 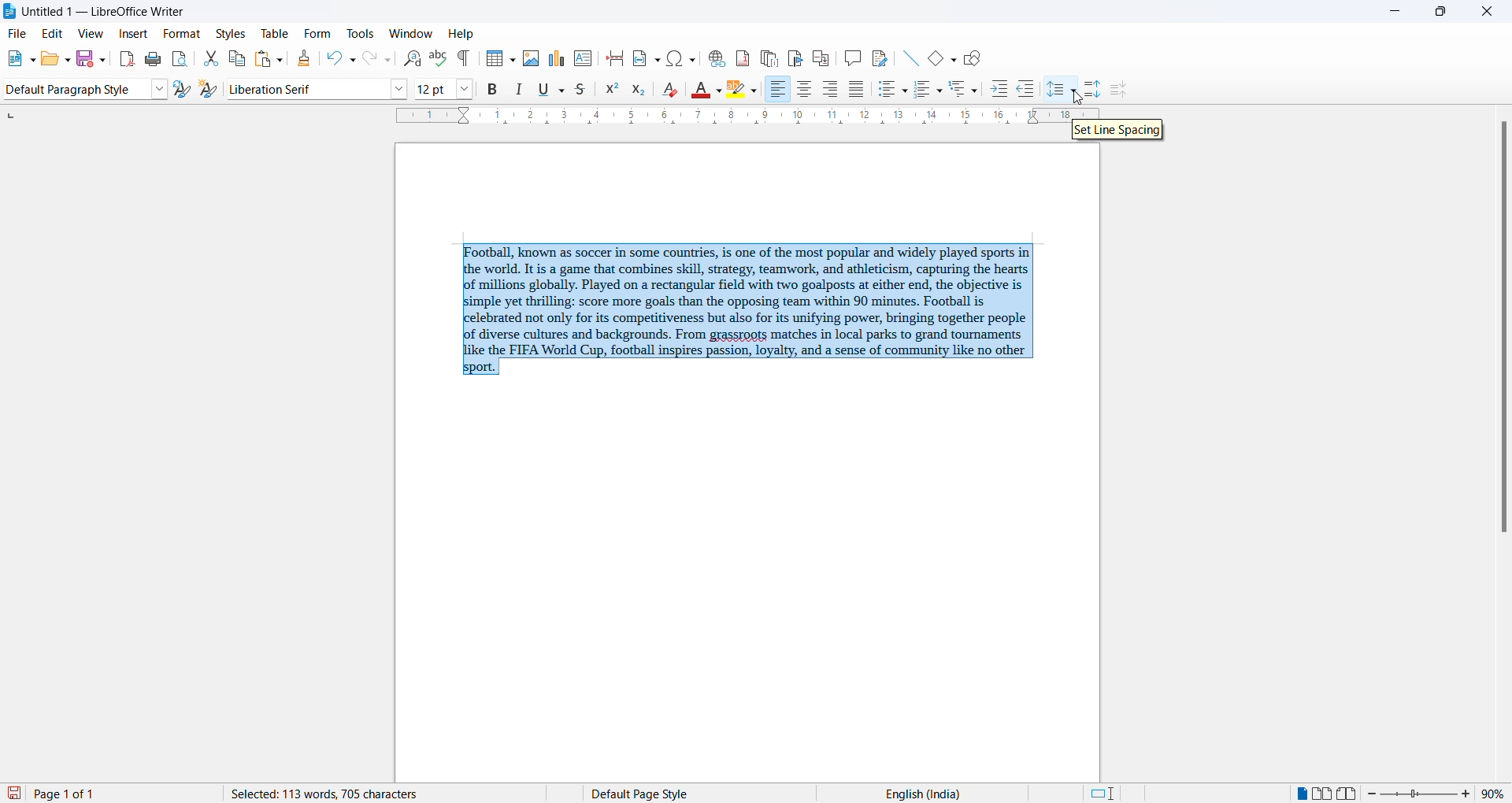 What do you see at coordinates (161, 88) in the screenshot?
I see `style options` at bounding box center [161, 88].